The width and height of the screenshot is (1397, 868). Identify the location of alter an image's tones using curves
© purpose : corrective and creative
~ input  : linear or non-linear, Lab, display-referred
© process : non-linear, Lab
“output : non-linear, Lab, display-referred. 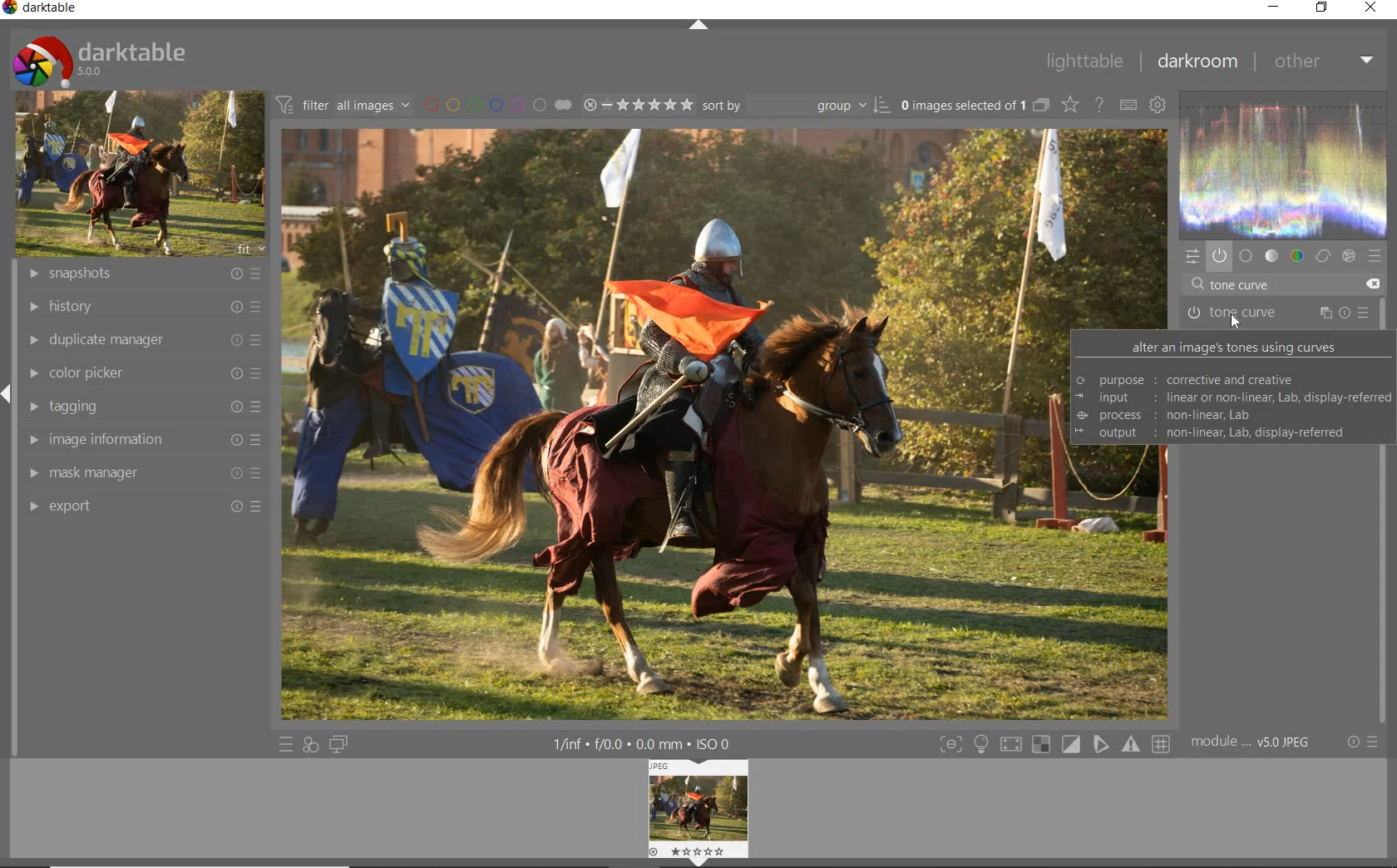
(1231, 390).